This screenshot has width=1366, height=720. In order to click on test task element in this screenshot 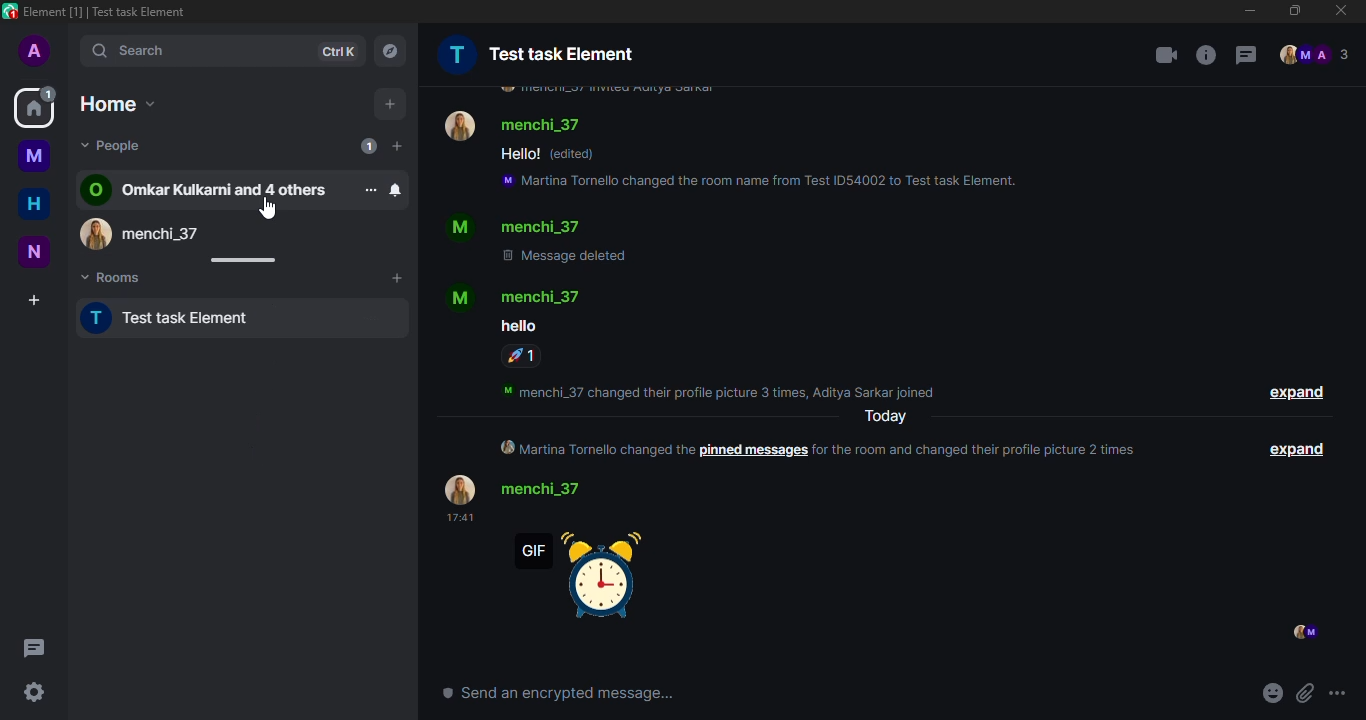, I will do `click(536, 51)`.